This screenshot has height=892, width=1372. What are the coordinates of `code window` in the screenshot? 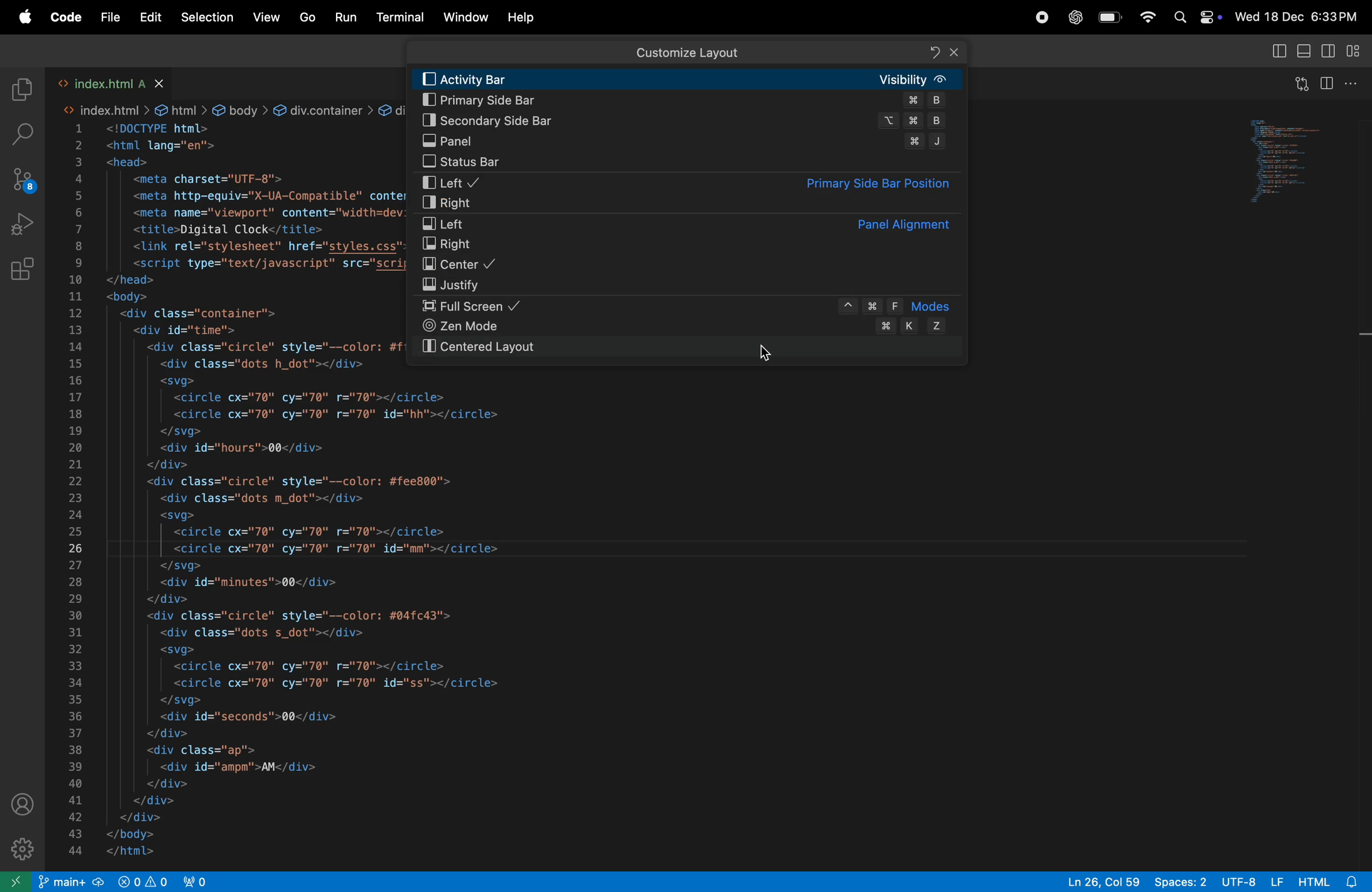 It's located at (1300, 160).